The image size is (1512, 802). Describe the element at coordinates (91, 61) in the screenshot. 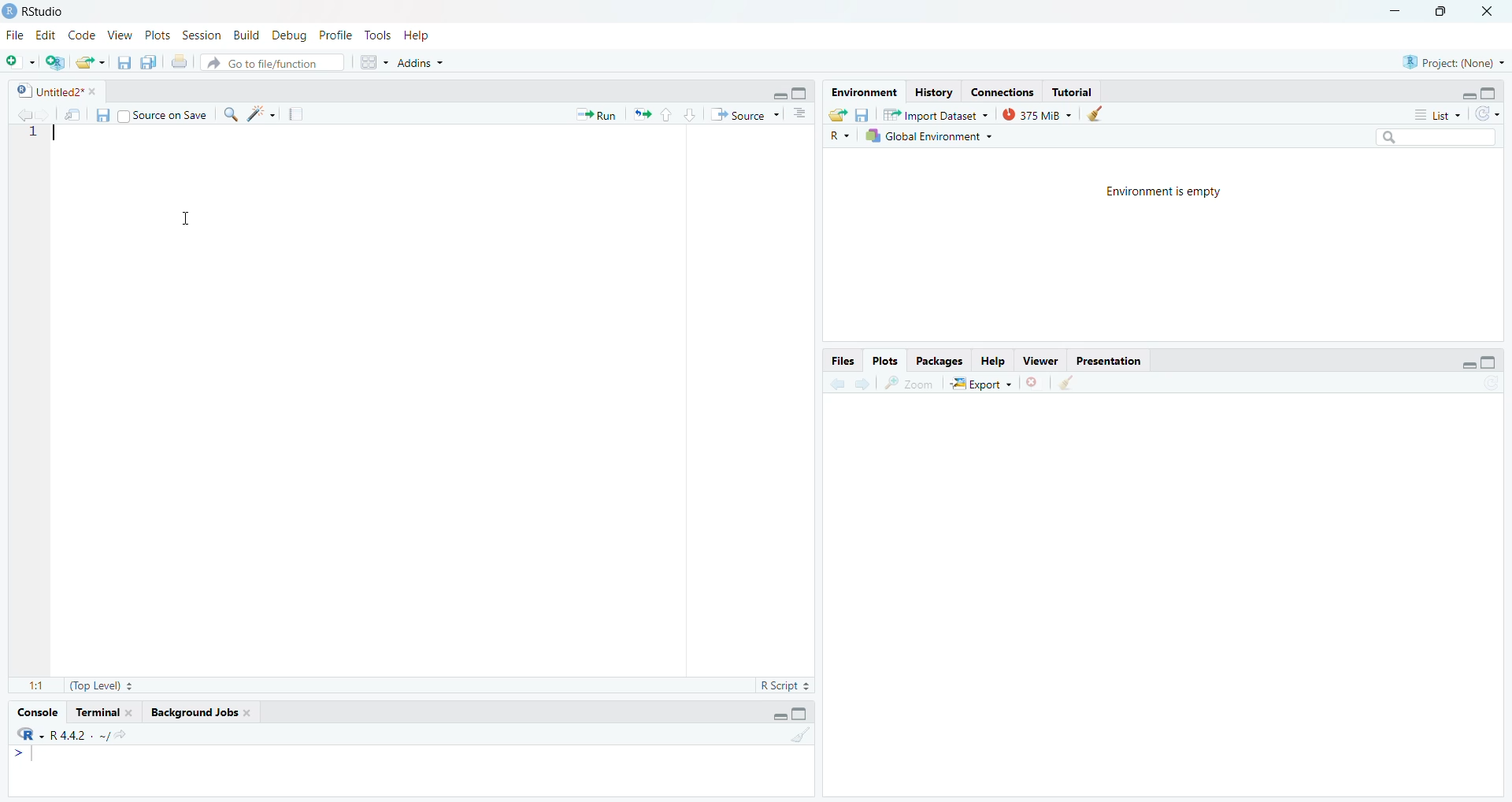

I see `open an existing file` at that location.